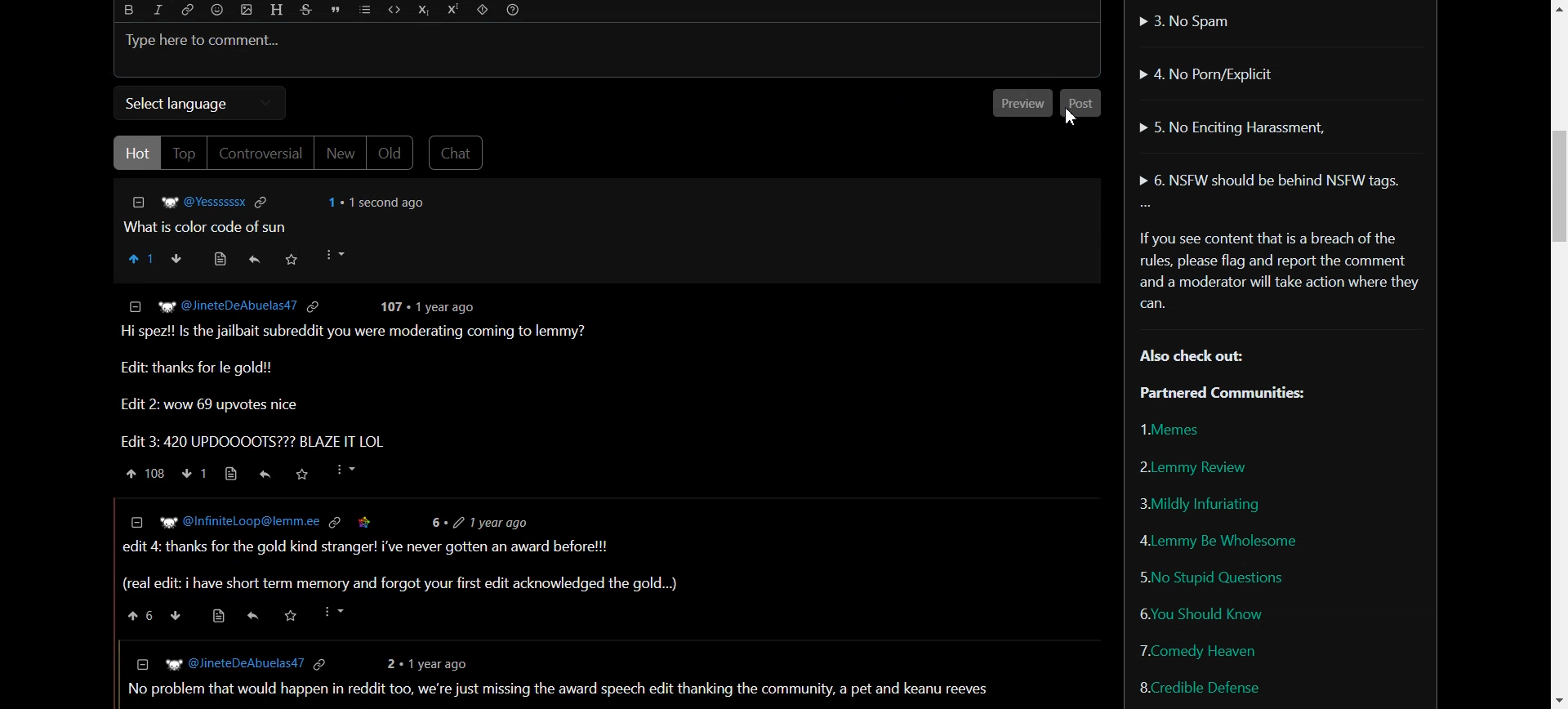 Image resolution: width=1568 pixels, height=709 pixels. I want to click on Text, so click(1277, 271).